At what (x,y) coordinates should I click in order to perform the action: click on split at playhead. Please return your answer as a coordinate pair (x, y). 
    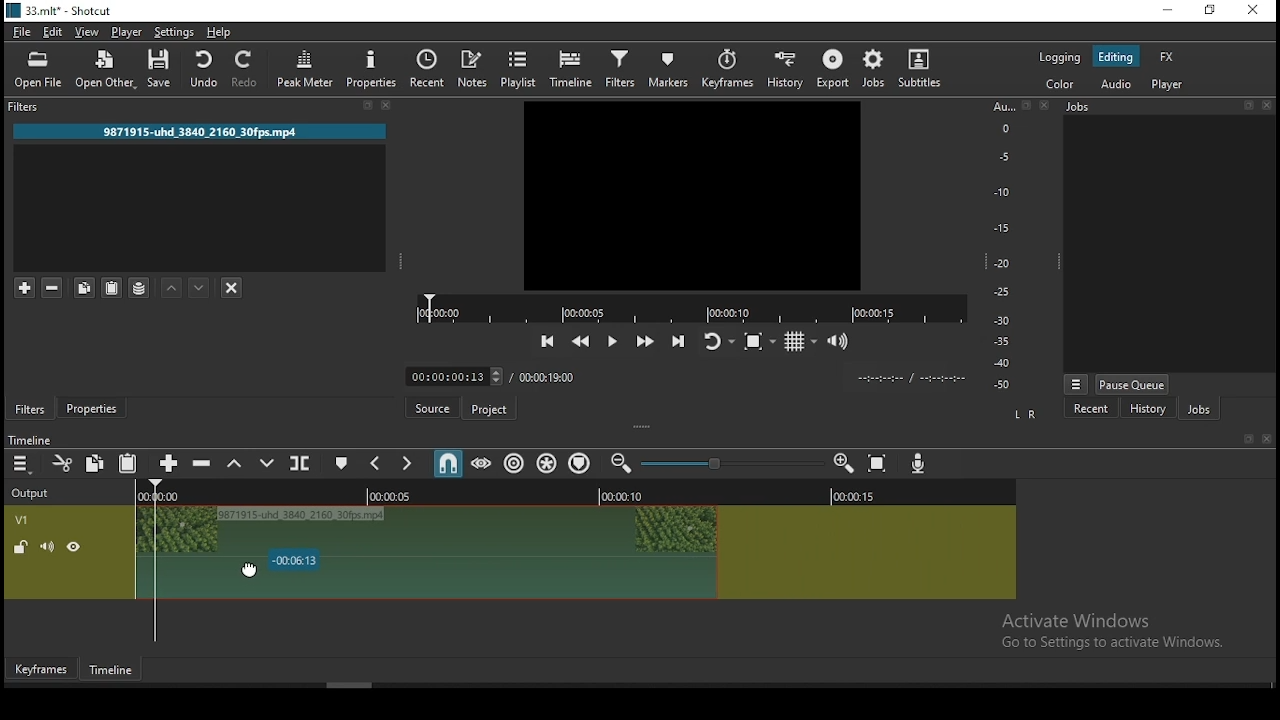
    Looking at the image, I should click on (431, 67).